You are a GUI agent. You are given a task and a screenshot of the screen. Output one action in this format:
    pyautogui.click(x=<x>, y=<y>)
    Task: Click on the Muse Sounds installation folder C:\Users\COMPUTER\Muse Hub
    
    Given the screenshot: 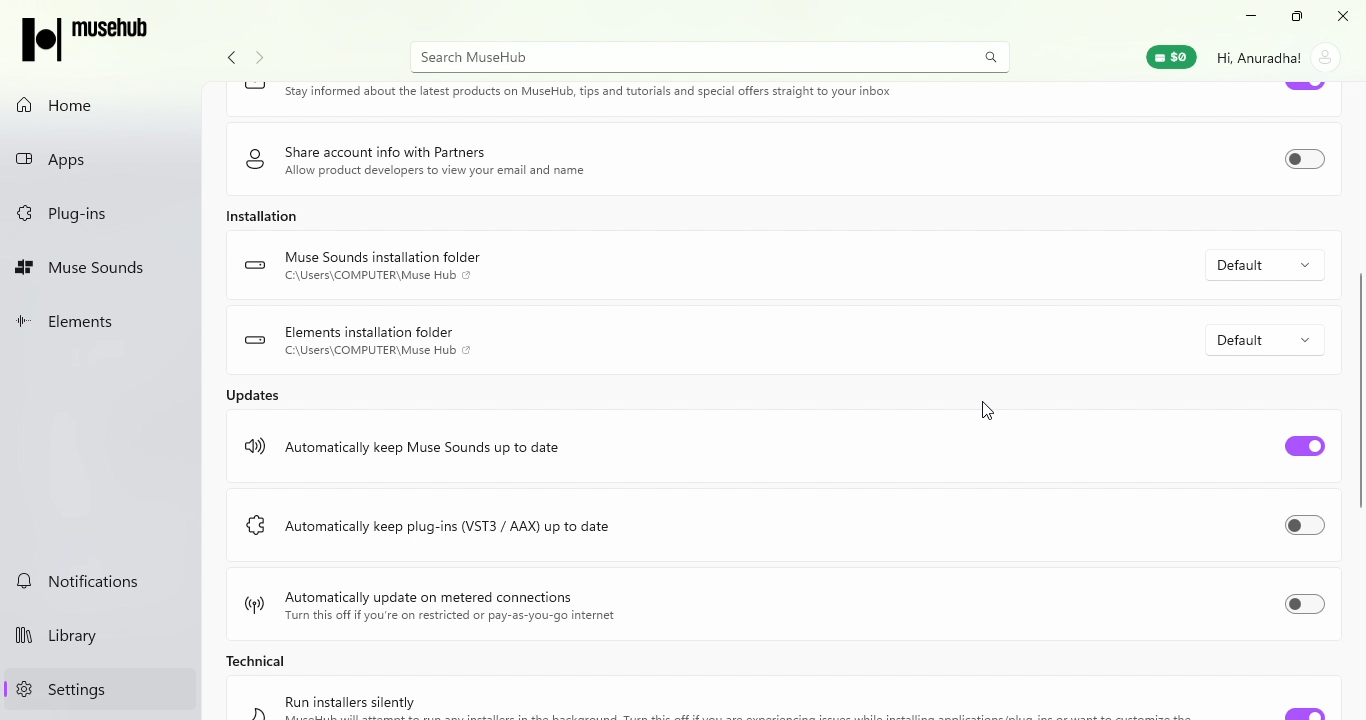 What is the action you would take?
    pyautogui.click(x=390, y=267)
    